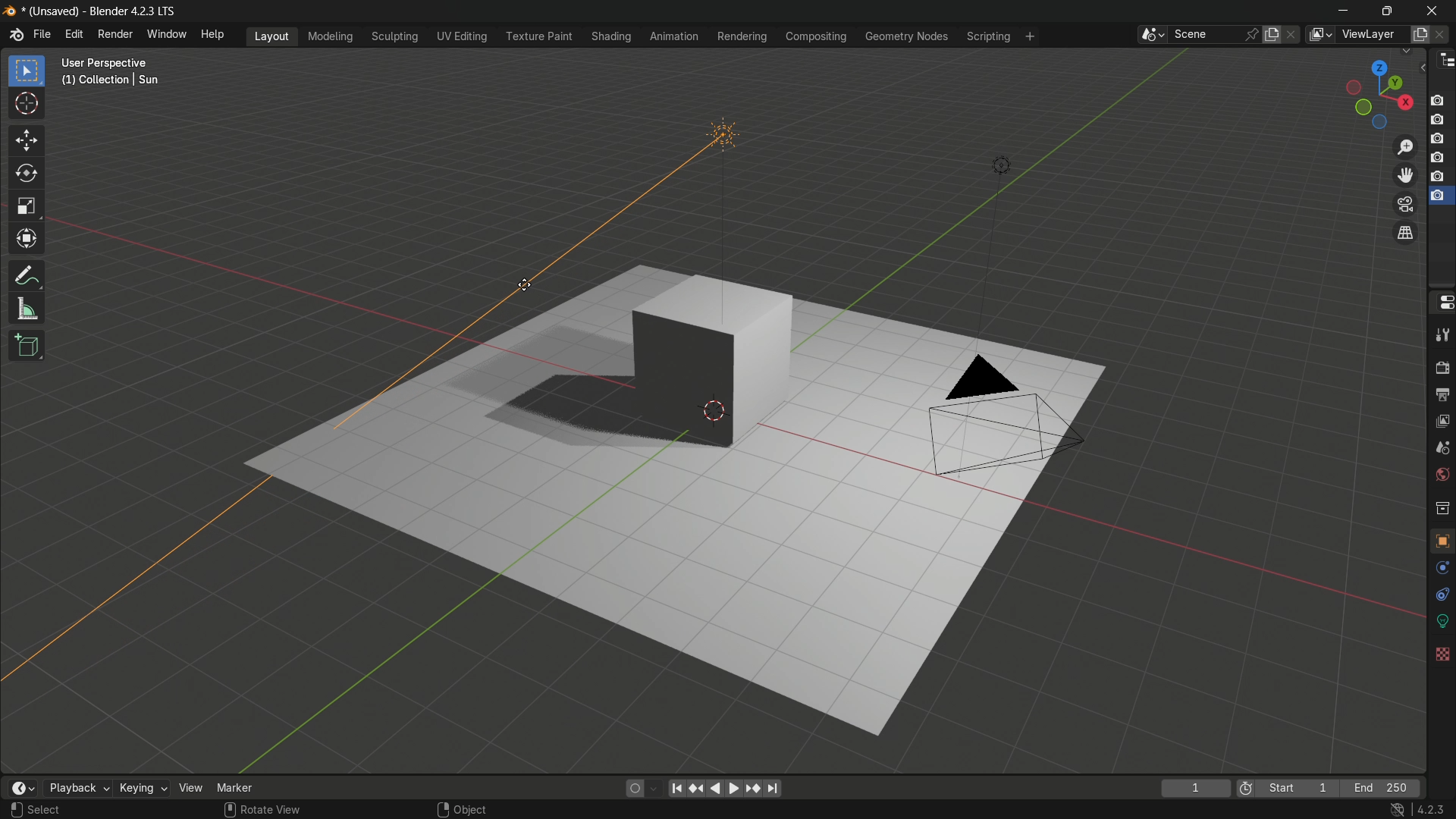  What do you see at coordinates (27, 107) in the screenshot?
I see `cursor` at bounding box center [27, 107].